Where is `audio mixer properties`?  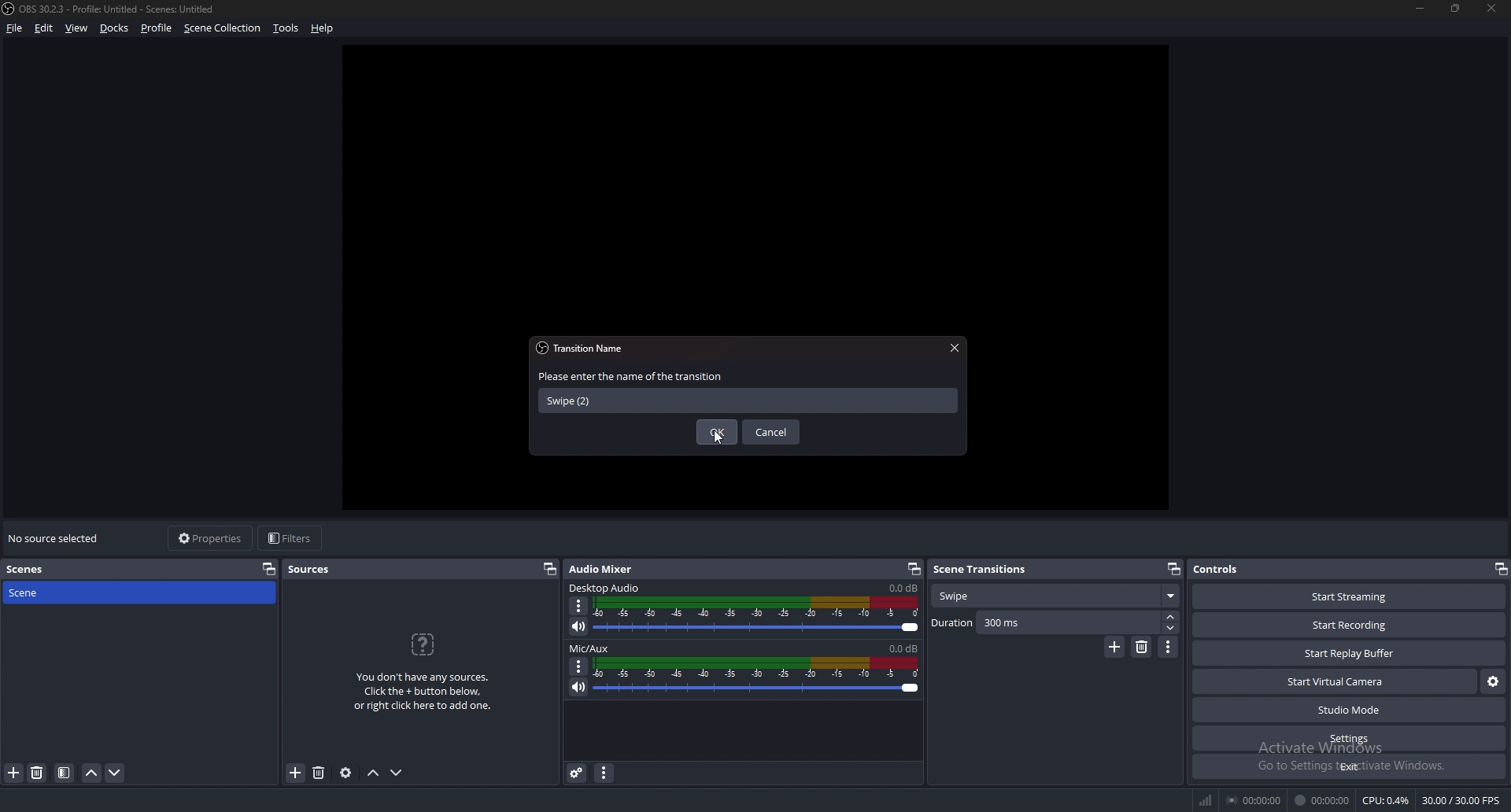
audio mixer properties is located at coordinates (605, 773).